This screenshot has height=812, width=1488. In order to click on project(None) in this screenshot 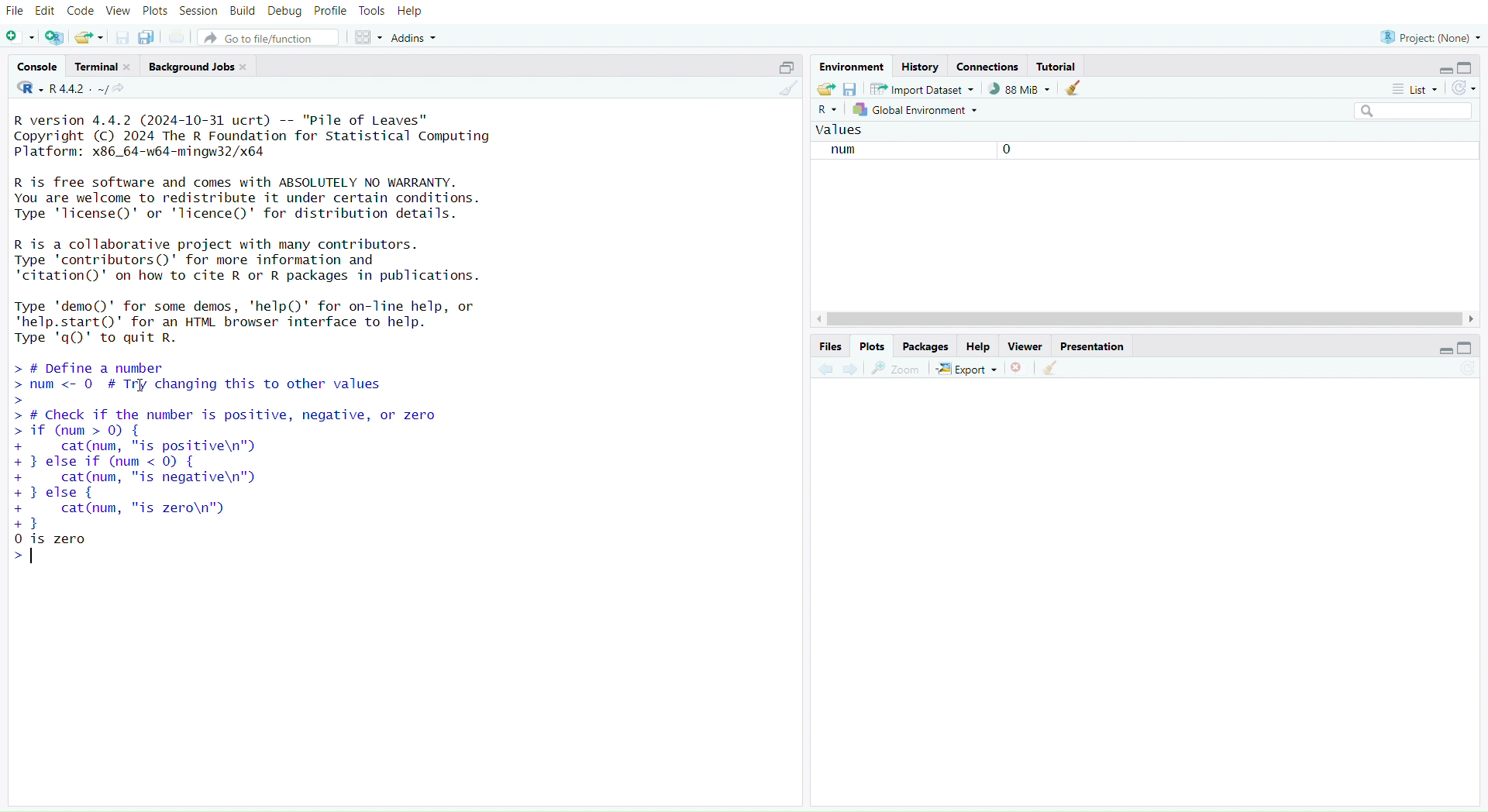, I will do `click(1430, 36)`.